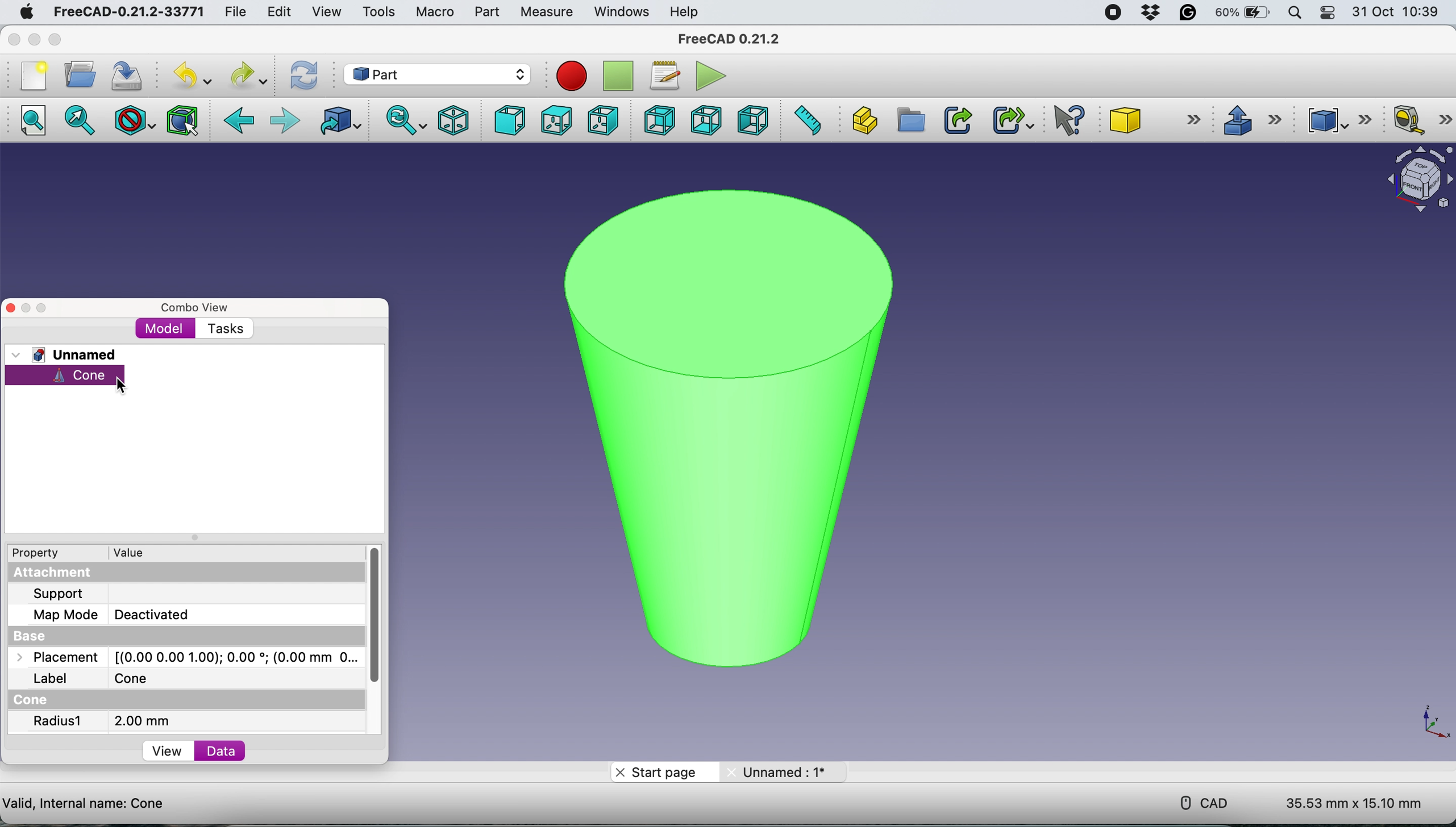 The image size is (1456, 827). I want to click on part, so click(439, 73).